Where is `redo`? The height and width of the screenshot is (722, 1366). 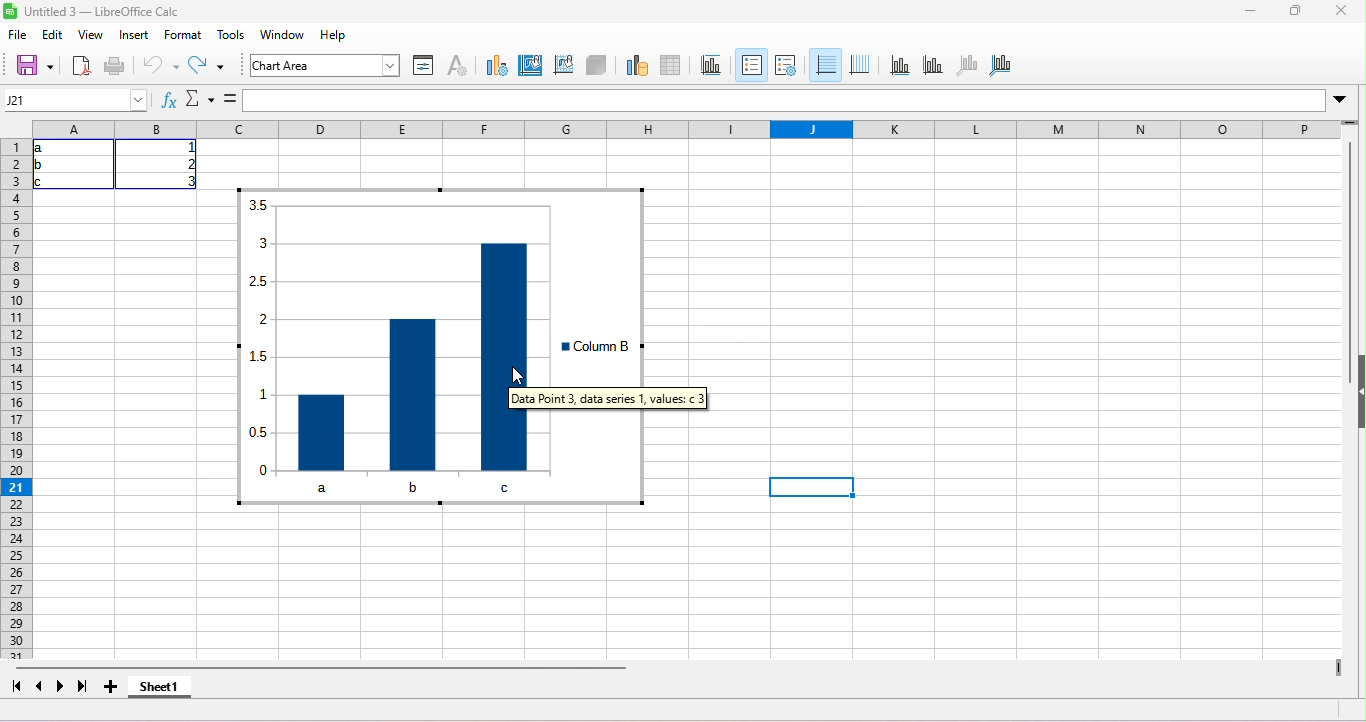 redo is located at coordinates (215, 64).